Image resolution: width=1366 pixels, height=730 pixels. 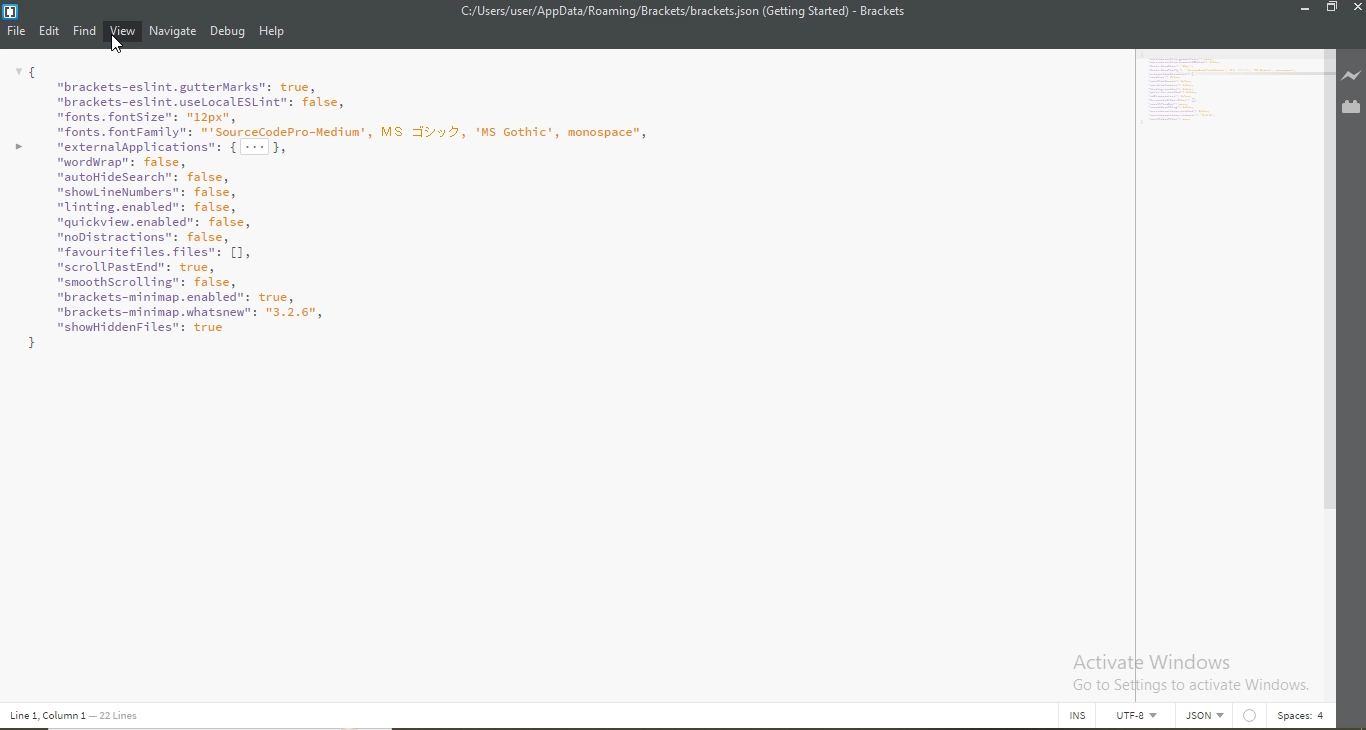 What do you see at coordinates (117, 45) in the screenshot?
I see `cursor on View` at bounding box center [117, 45].